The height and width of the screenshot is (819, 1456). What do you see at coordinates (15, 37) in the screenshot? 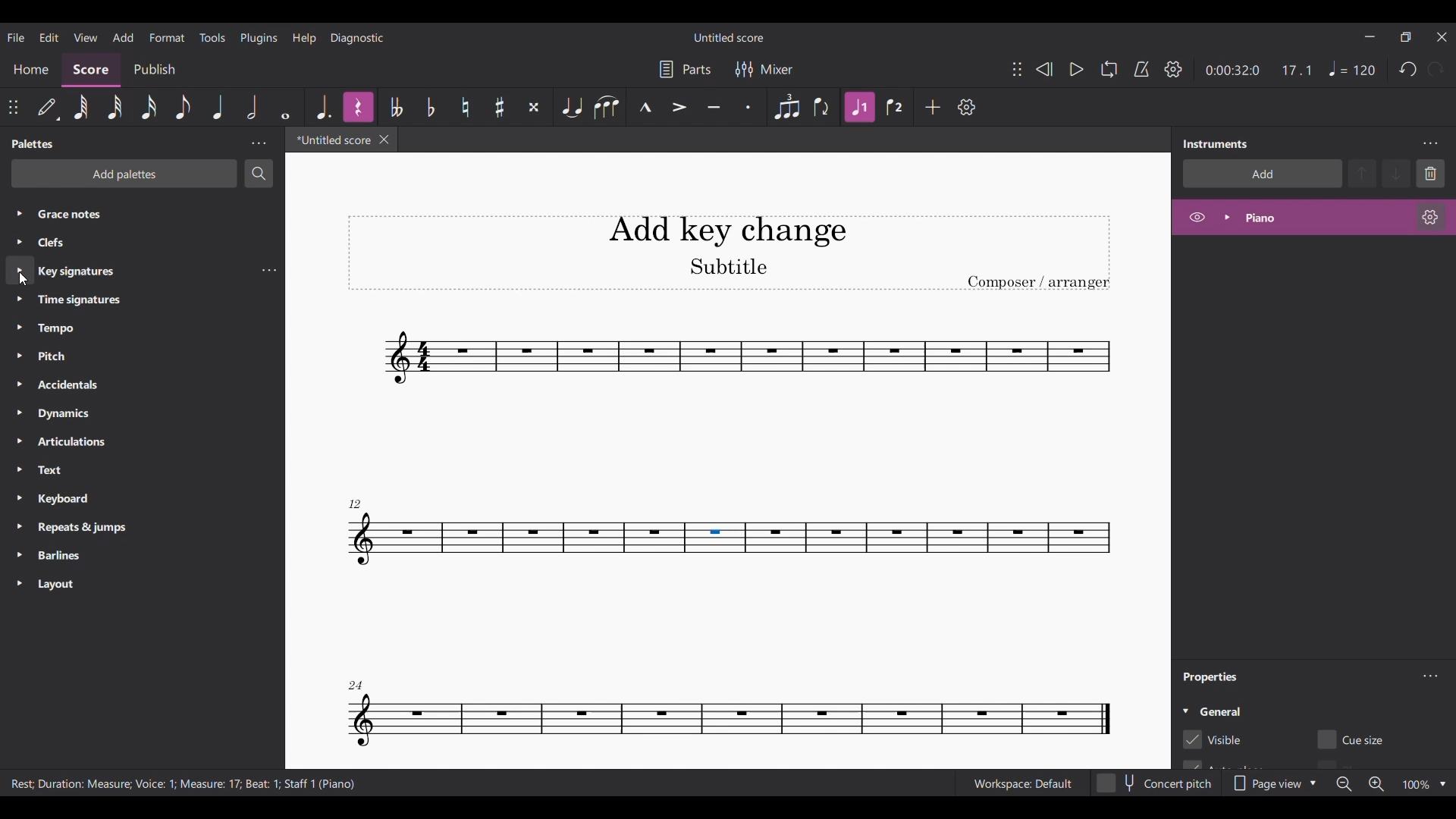
I see `File menu` at bounding box center [15, 37].